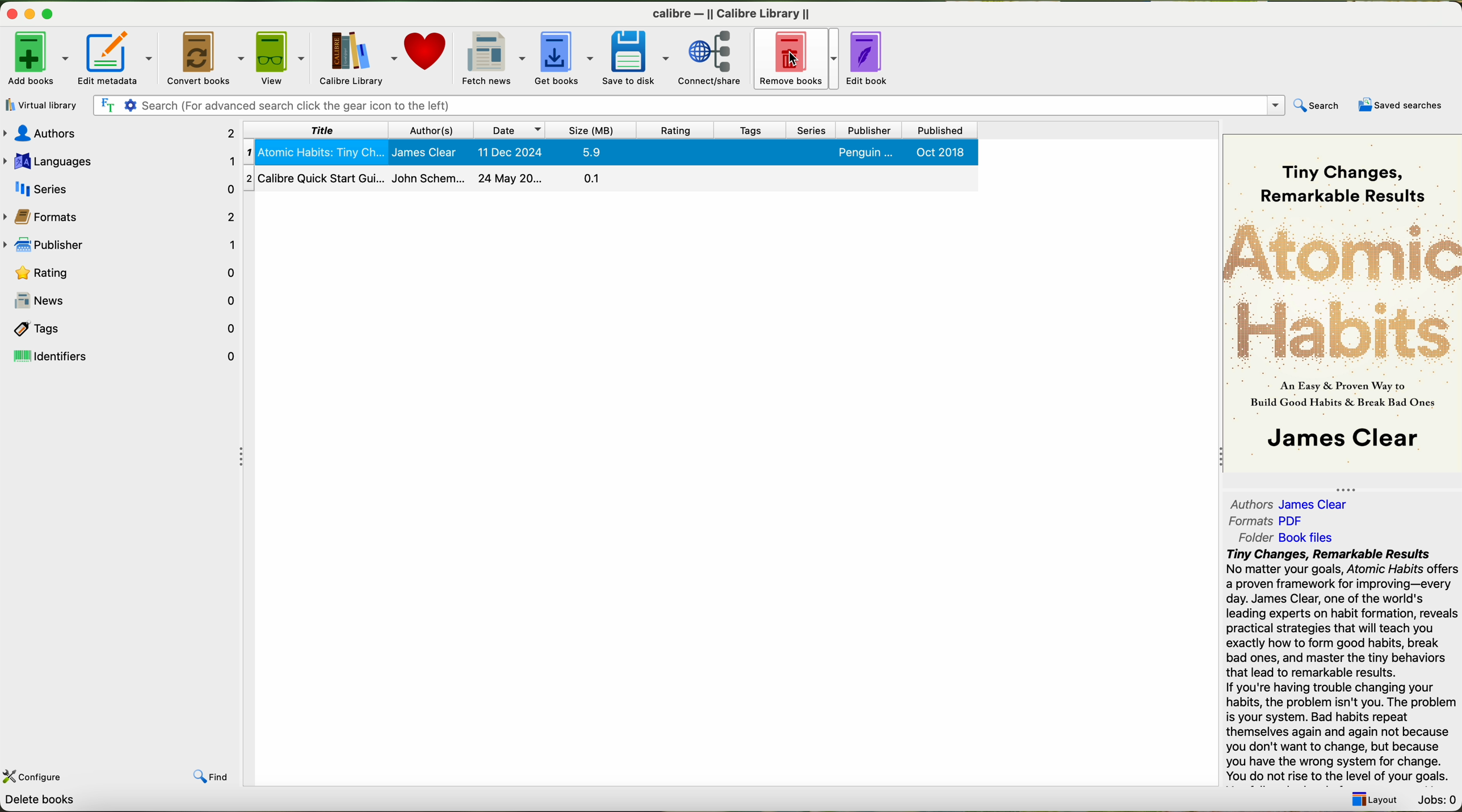  Describe the element at coordinates (118, 133) in the screenshot. I see `authors` at that location.